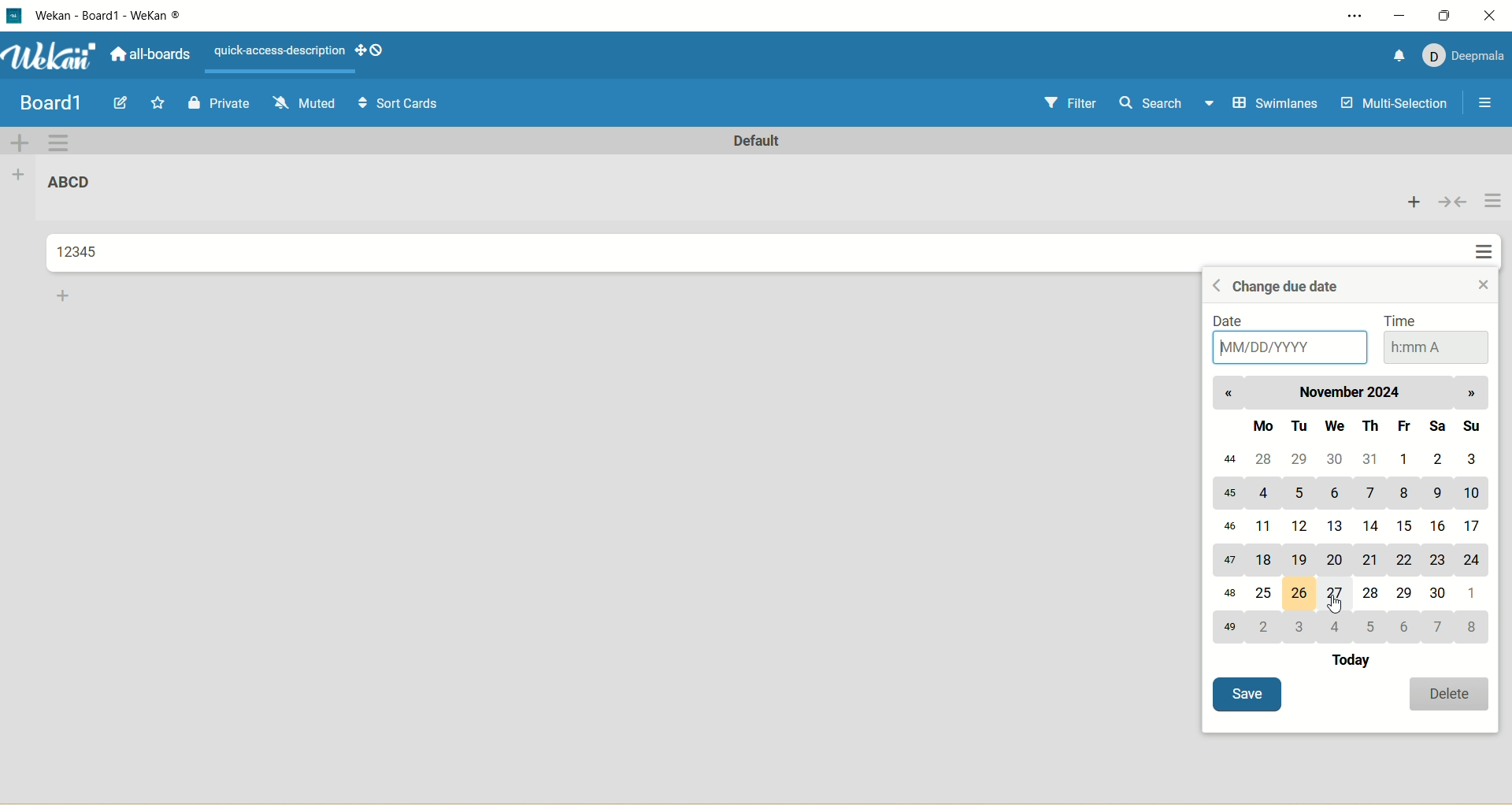  Describe the element at coordinates (21, 142) in the screenshot. I see `add swimlane` at that location.